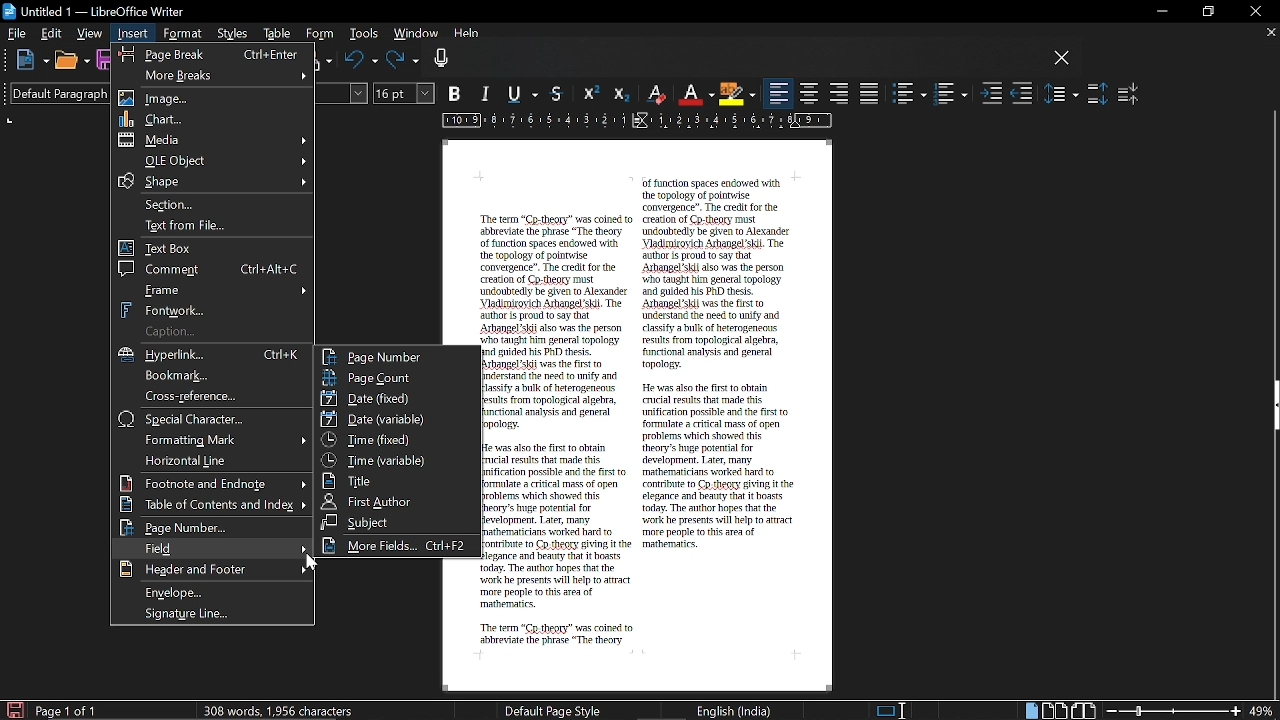  Describe the element at coordinates (53, 93) in the screenshot. I see `Paragraph style` at that location.